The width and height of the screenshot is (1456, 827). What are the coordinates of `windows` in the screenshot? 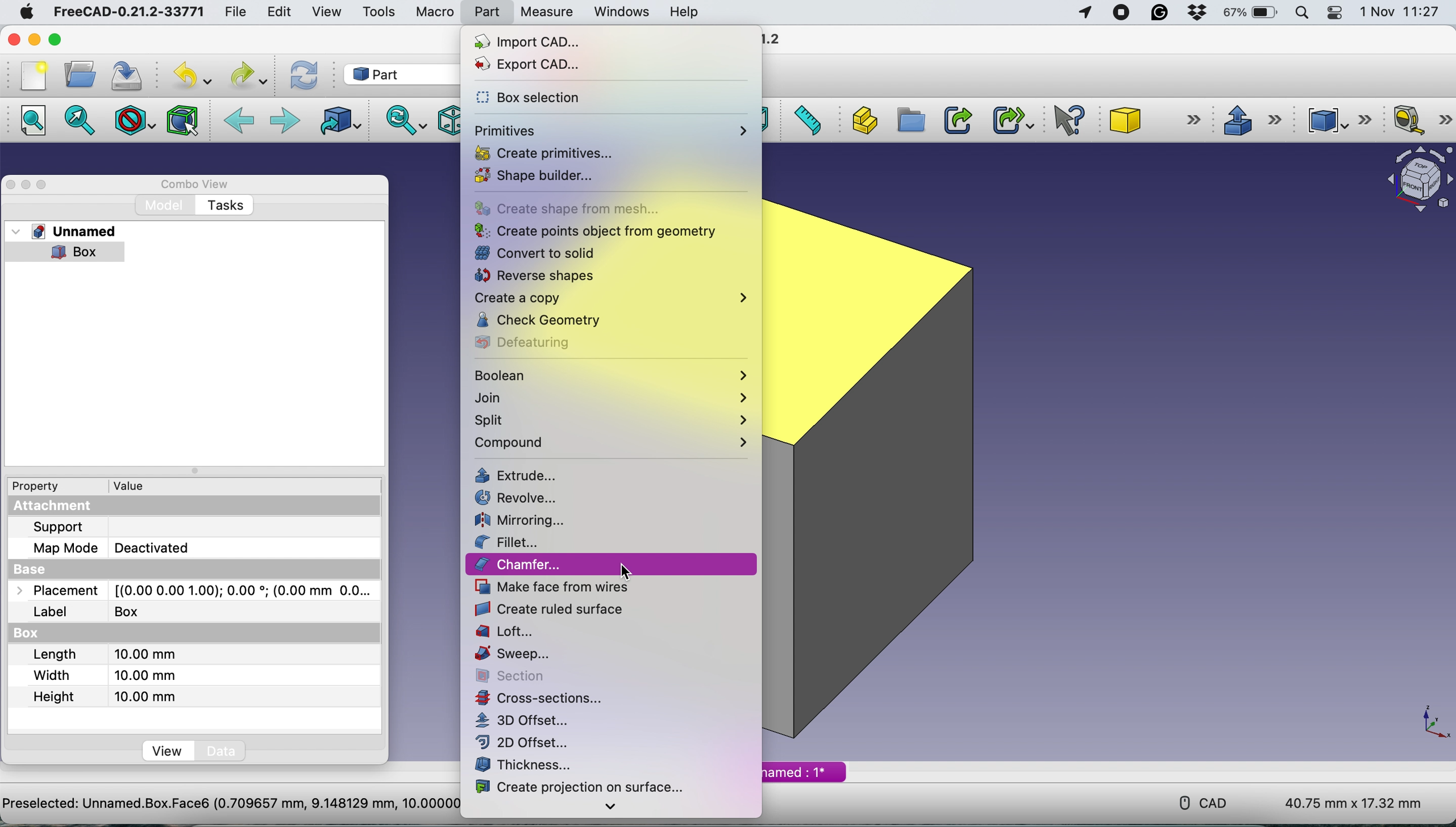 It's located at (623, 12).